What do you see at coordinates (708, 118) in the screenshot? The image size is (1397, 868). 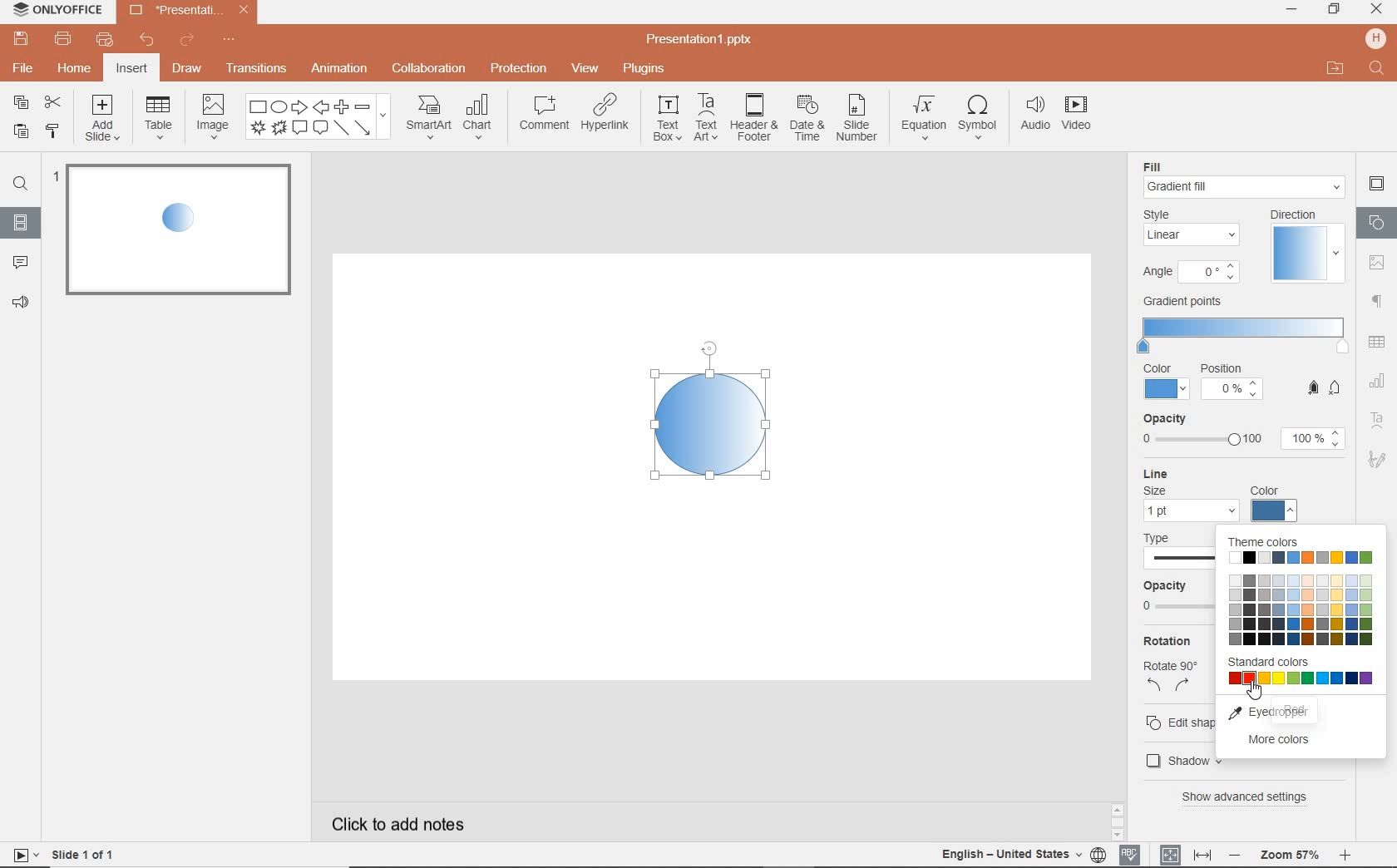 I see `text art` at bounding box center [708, 118].